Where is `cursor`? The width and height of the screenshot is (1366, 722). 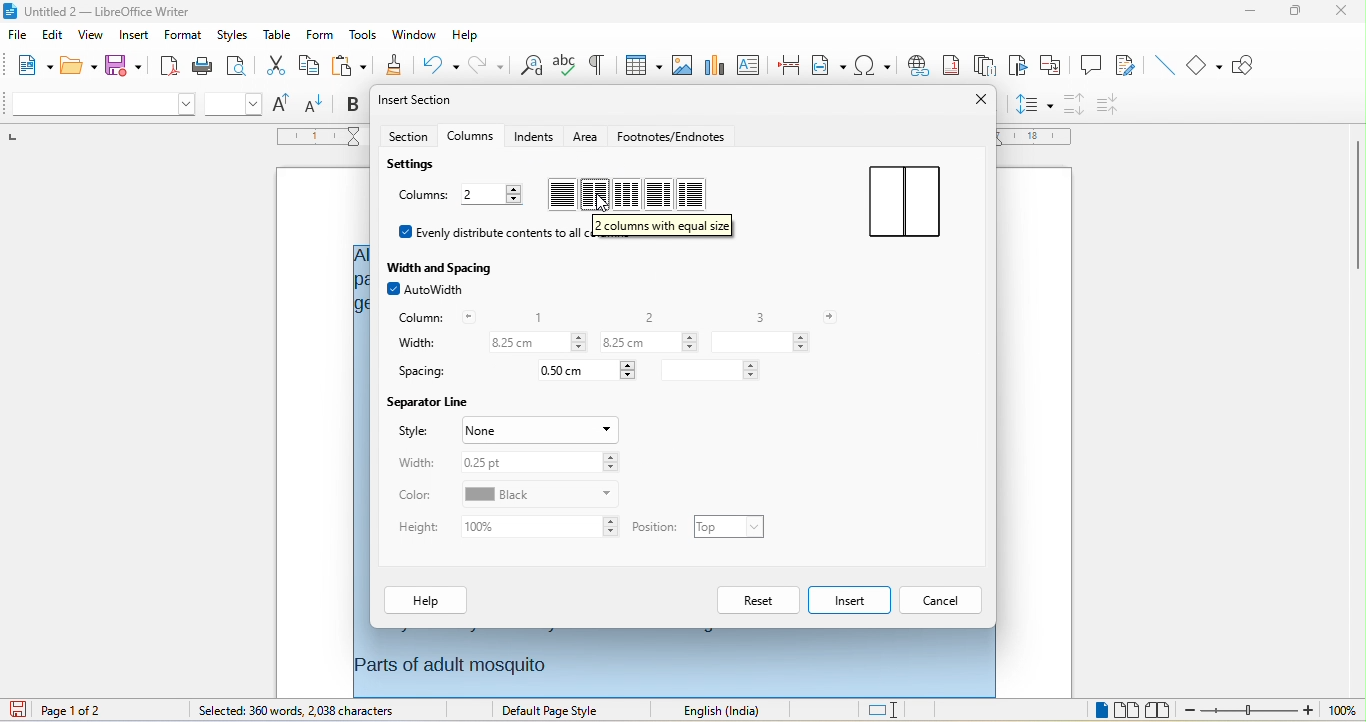 cursor is located at coordinates (602, 204).